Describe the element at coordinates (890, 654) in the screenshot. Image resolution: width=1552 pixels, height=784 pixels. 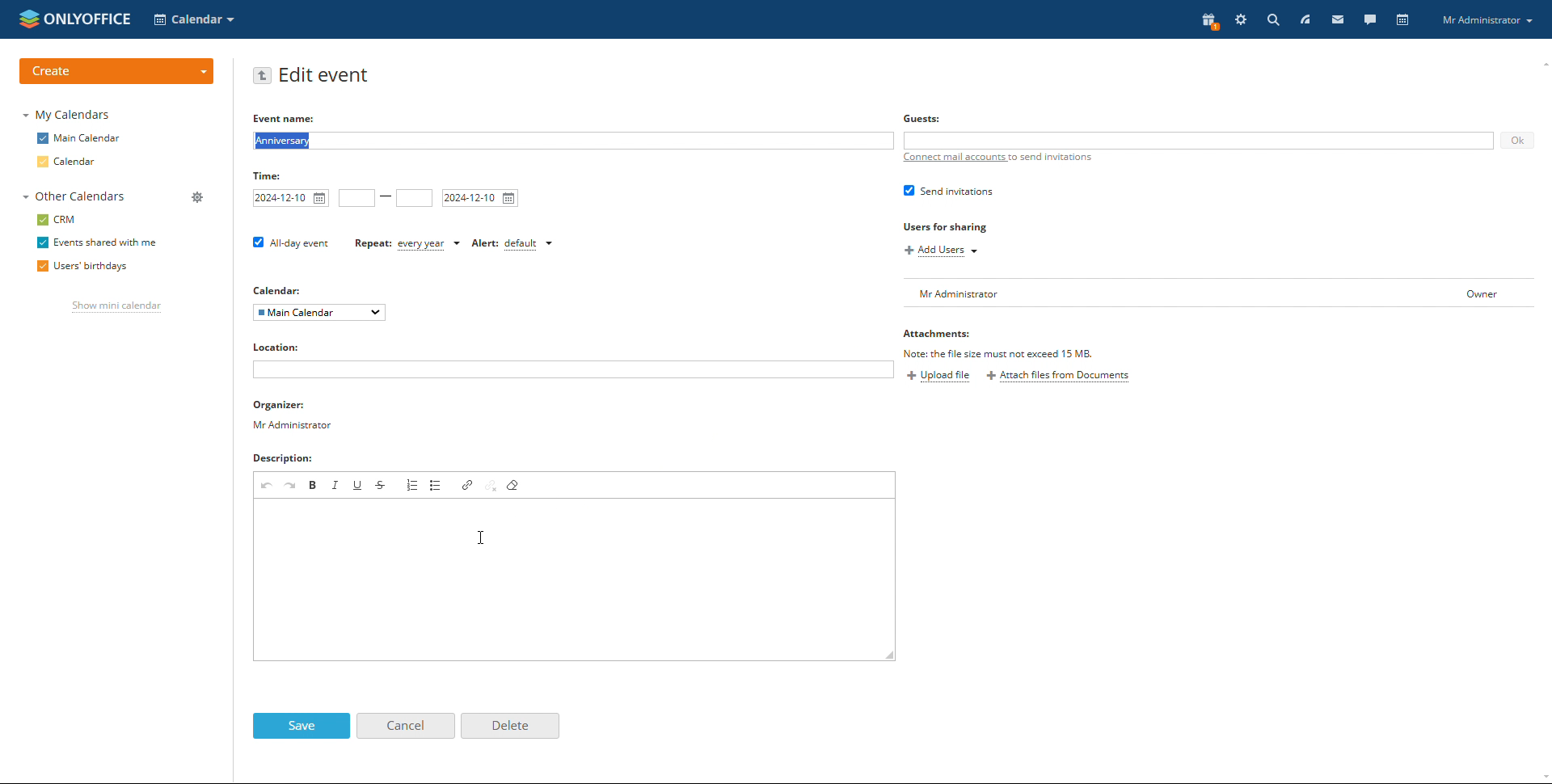
I see `resize` at that location.